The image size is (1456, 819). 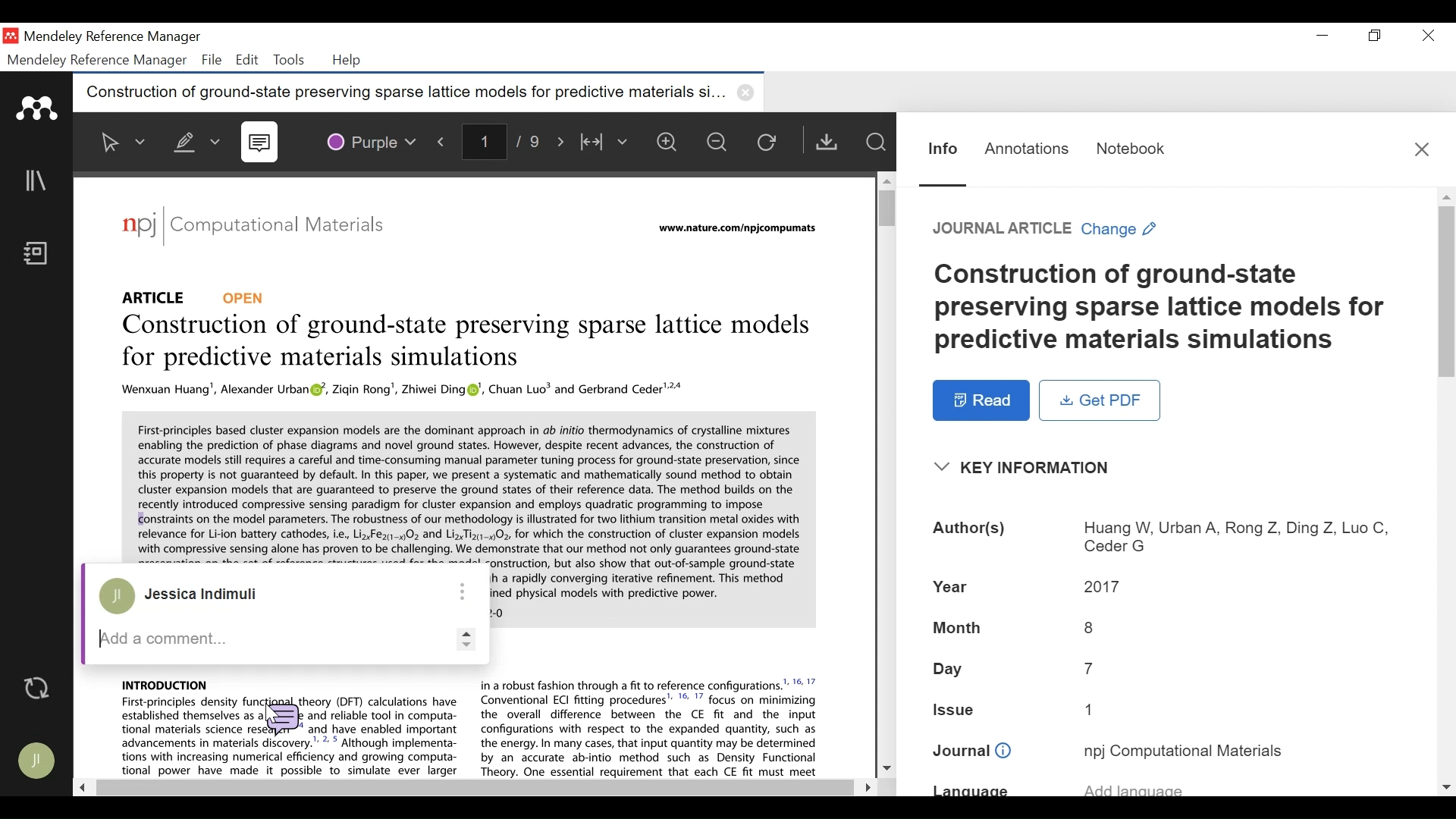 What do you see at coordinates (37, 689) in the screenshot?
I see `Sync` at bounding box center [37, 689].